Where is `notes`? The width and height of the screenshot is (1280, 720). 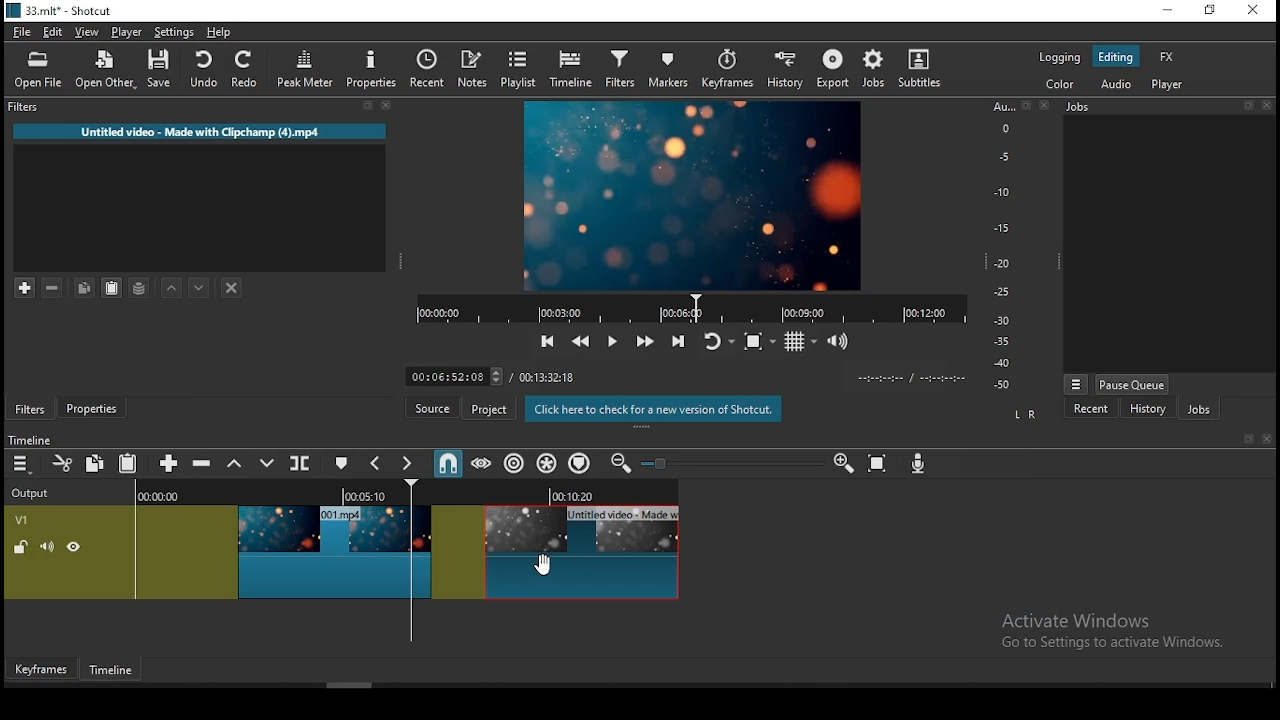 notes is located at coordinates (468, 69).